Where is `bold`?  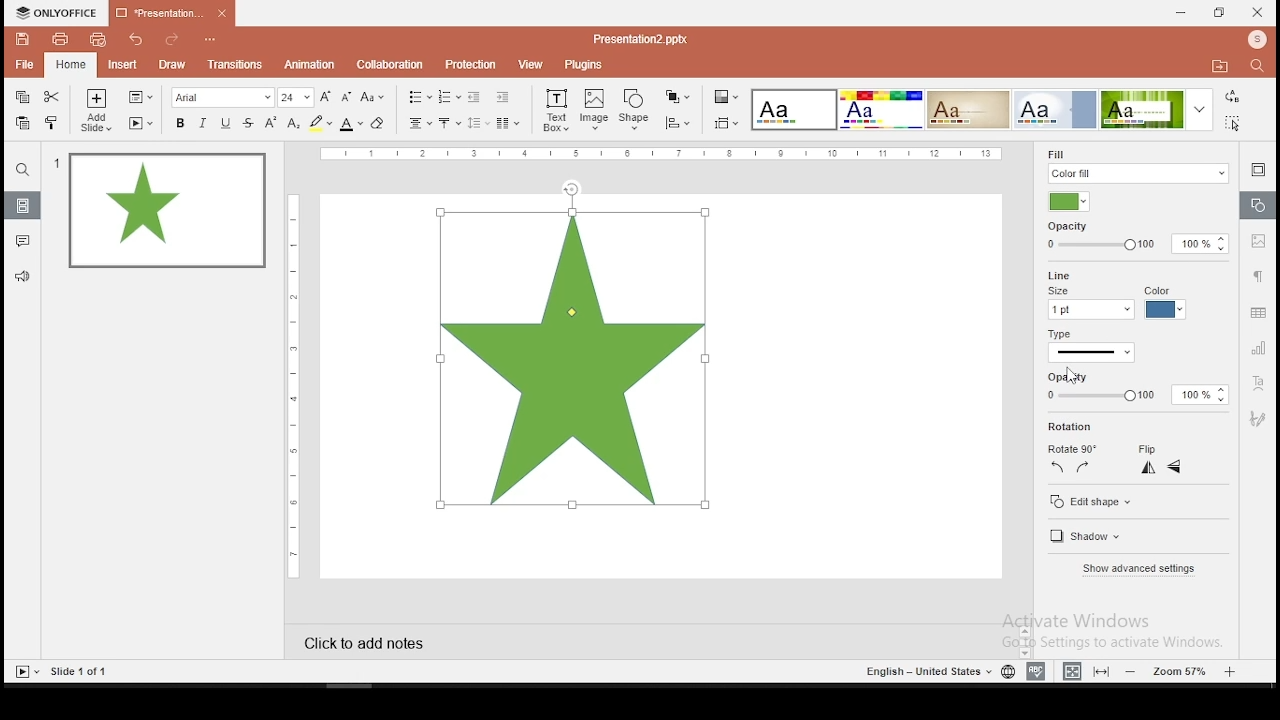 bold is located at coordinates (180, 123).